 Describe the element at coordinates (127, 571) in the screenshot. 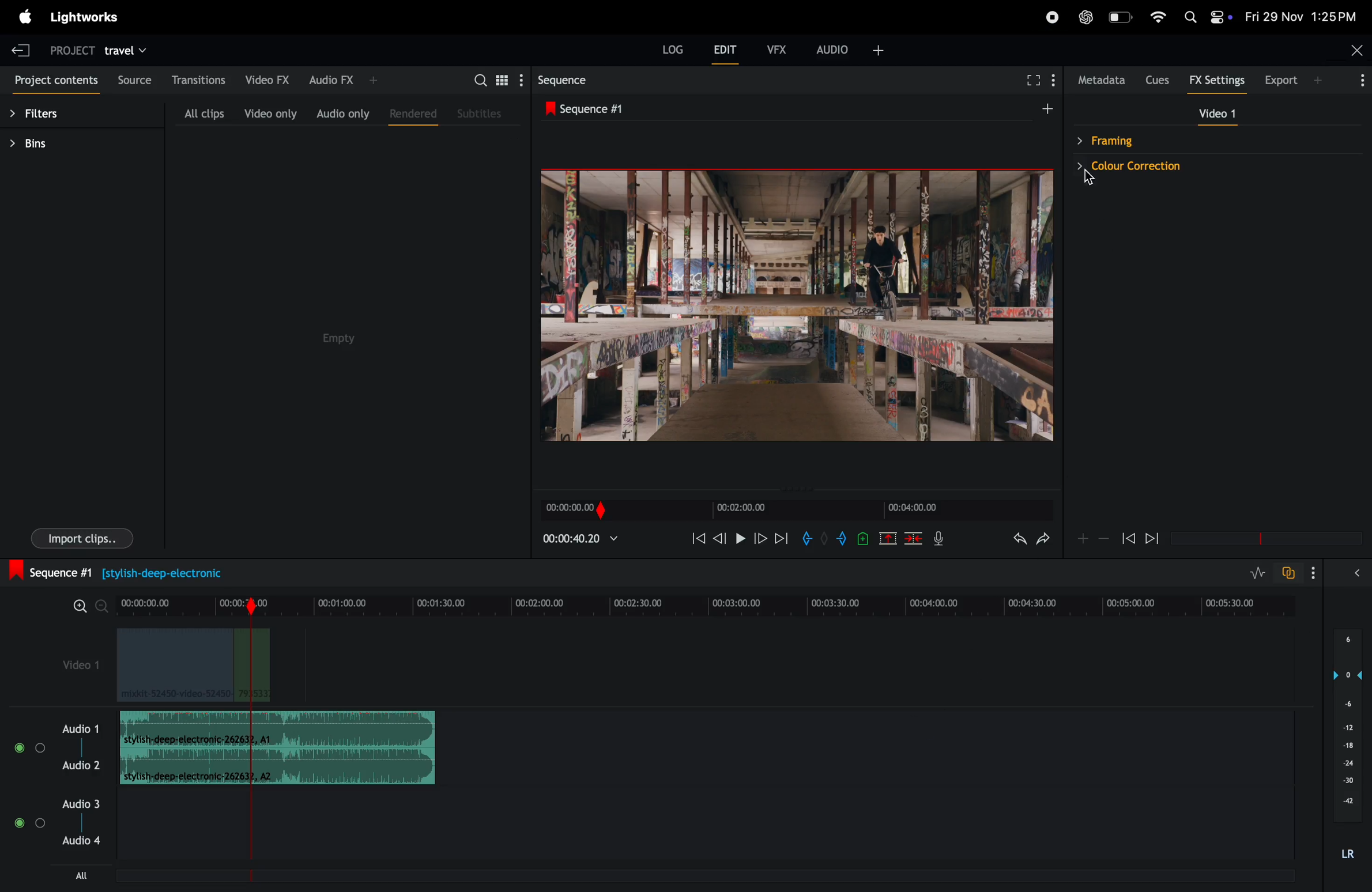

I see `sequence #1` at that location.